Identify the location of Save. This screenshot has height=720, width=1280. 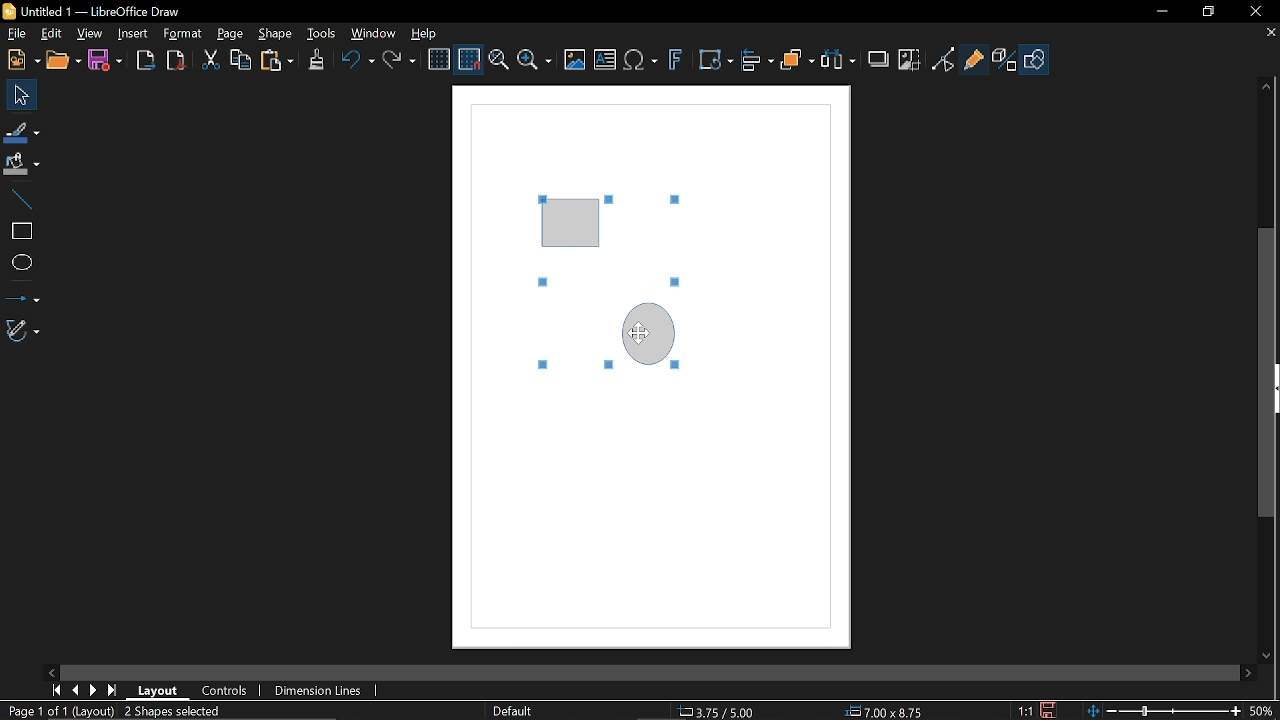
(1049, 710).